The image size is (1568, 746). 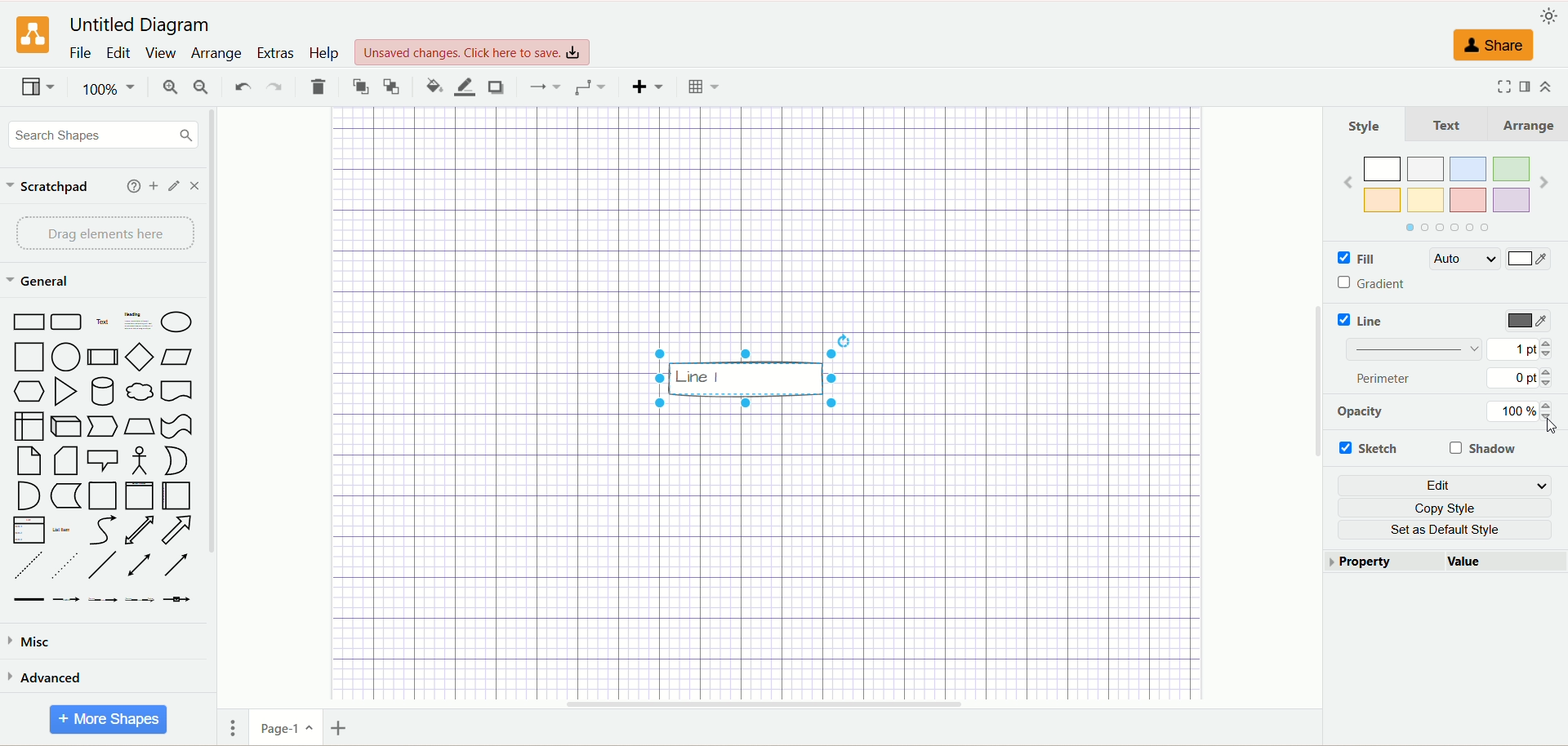 What do you see at coordinates (101, 357) in the screenshot?
I see `Process` at bounding box center [101, 357].